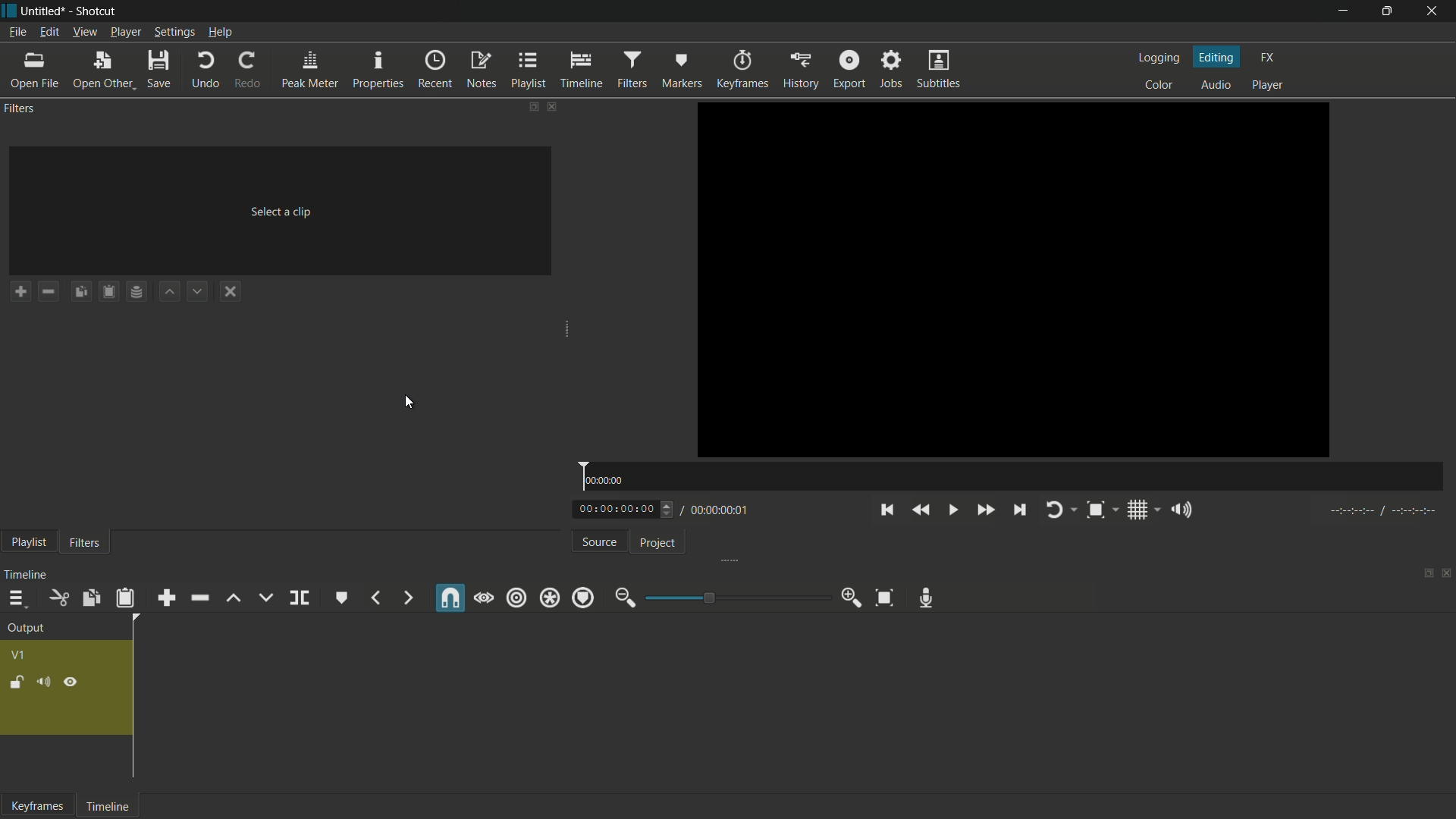  Describe the element at coordinates (199, 598) in the screenshot. I see `delete ripple` at that location.